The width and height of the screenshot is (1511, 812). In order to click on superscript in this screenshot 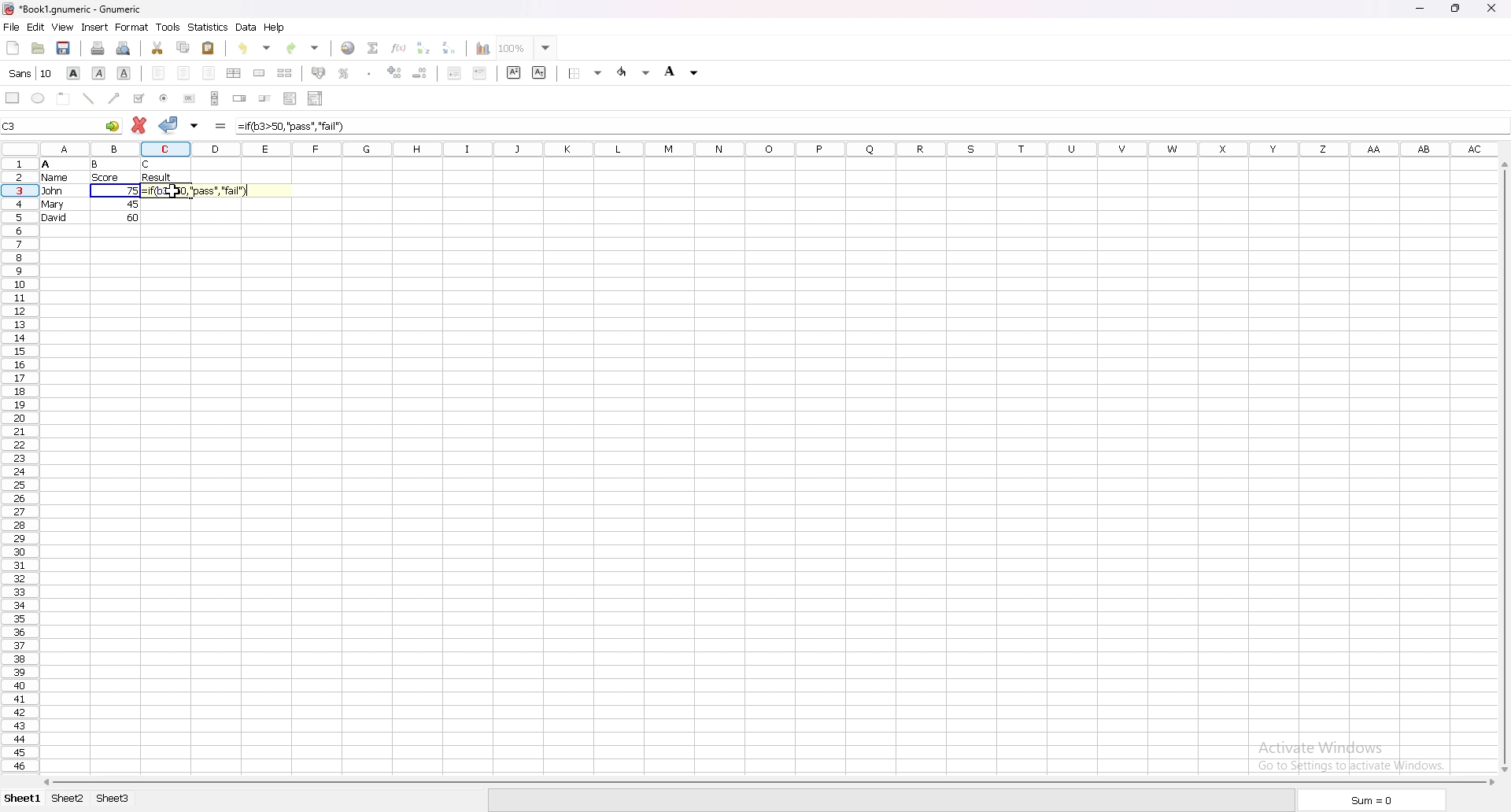, I will do `click(514, 72)`.